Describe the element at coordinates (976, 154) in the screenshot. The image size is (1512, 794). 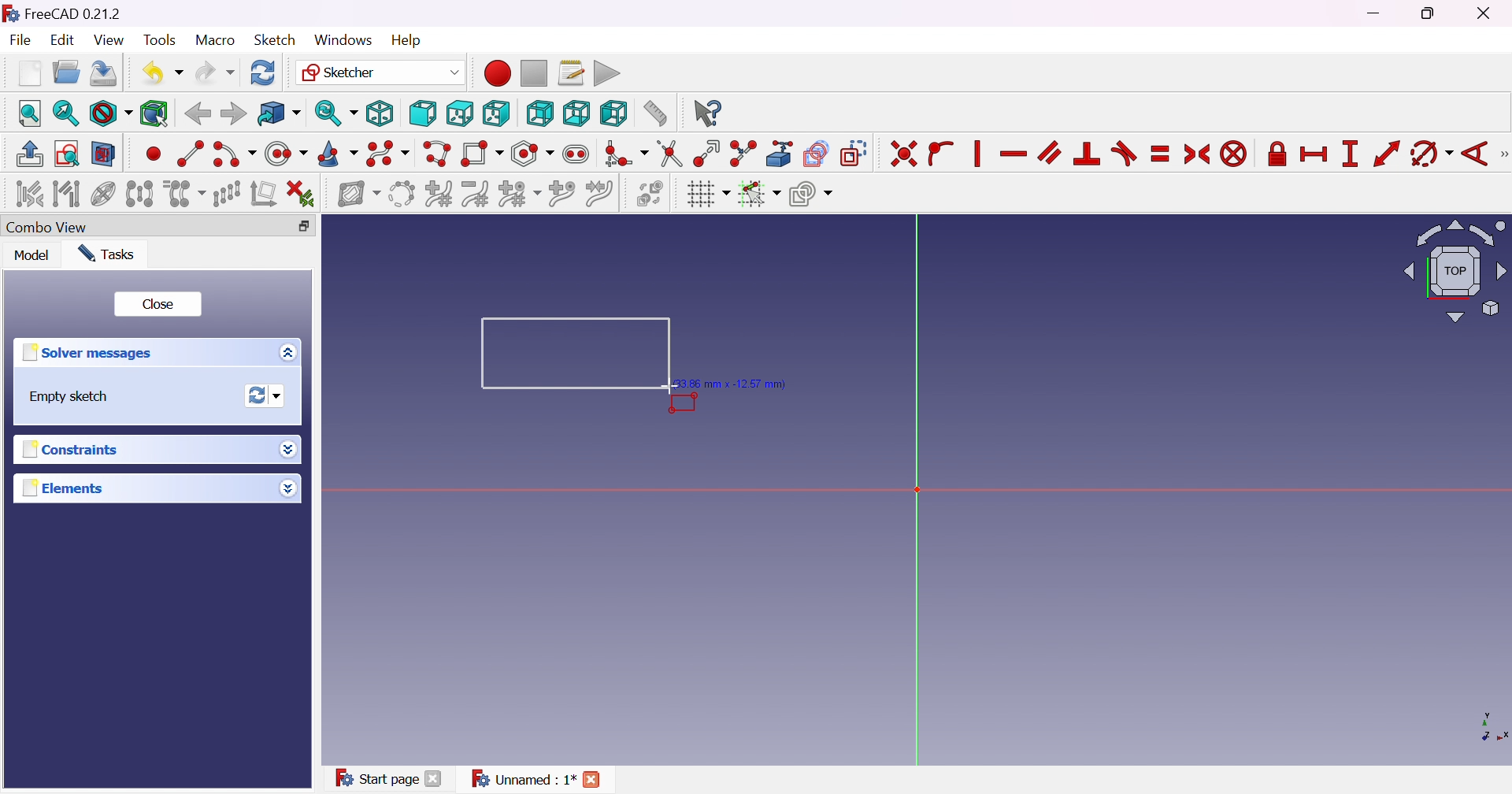
I see `Vertically` at that location.